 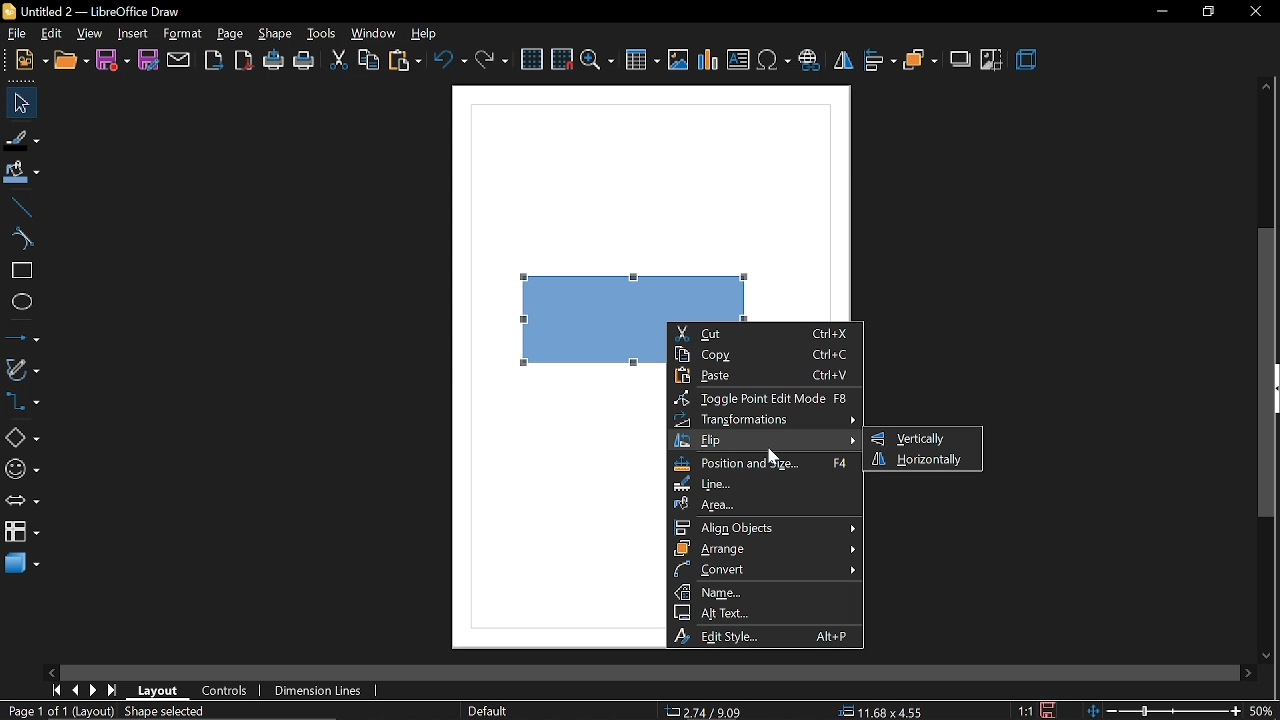 What do you see at coordinates (1256, 12) in the screenshot?
I see `close` at bounding box center [1256, 12].